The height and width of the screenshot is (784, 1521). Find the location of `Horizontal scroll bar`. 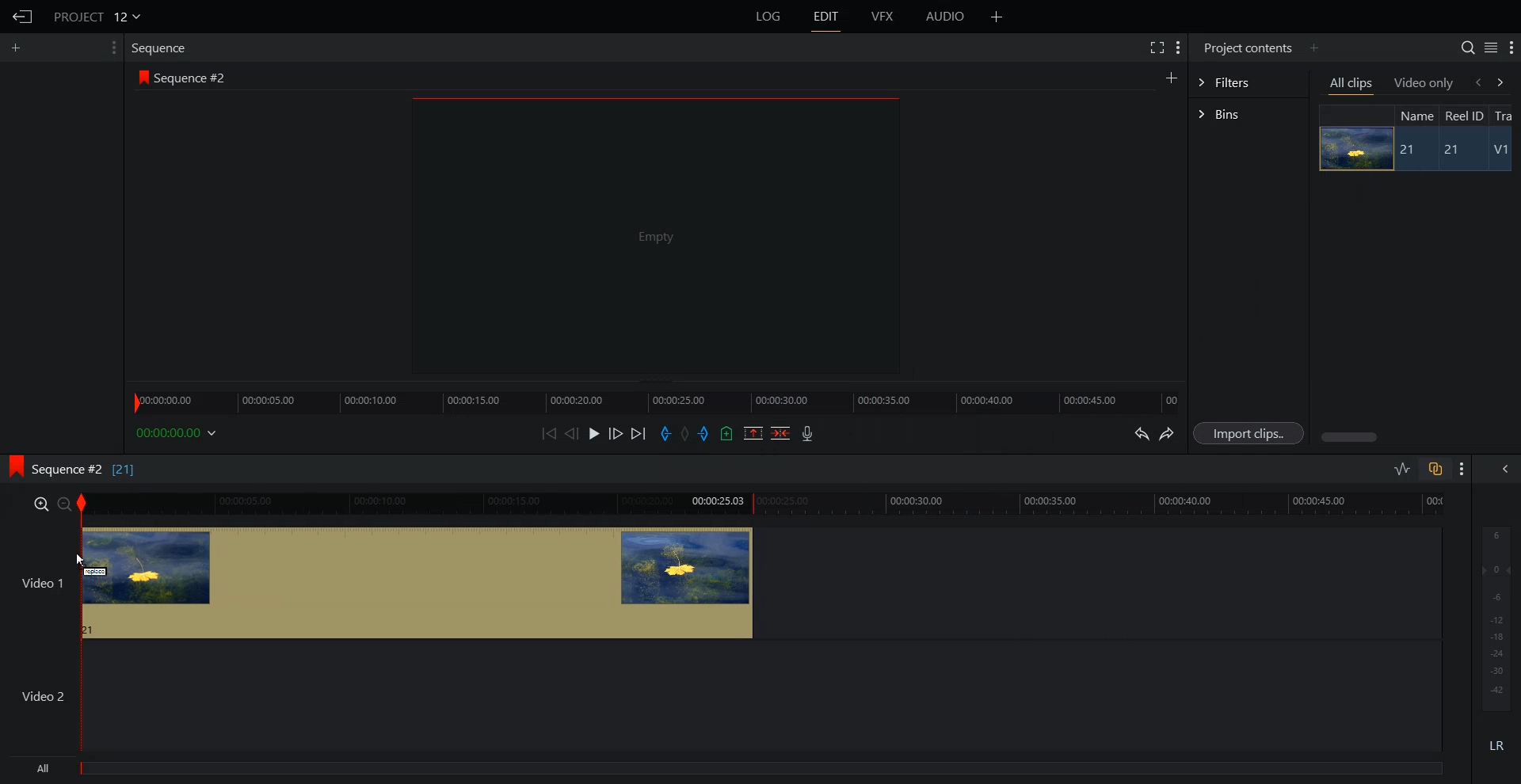

Horizontal scroll bar is located at coordinates (1351, 437).